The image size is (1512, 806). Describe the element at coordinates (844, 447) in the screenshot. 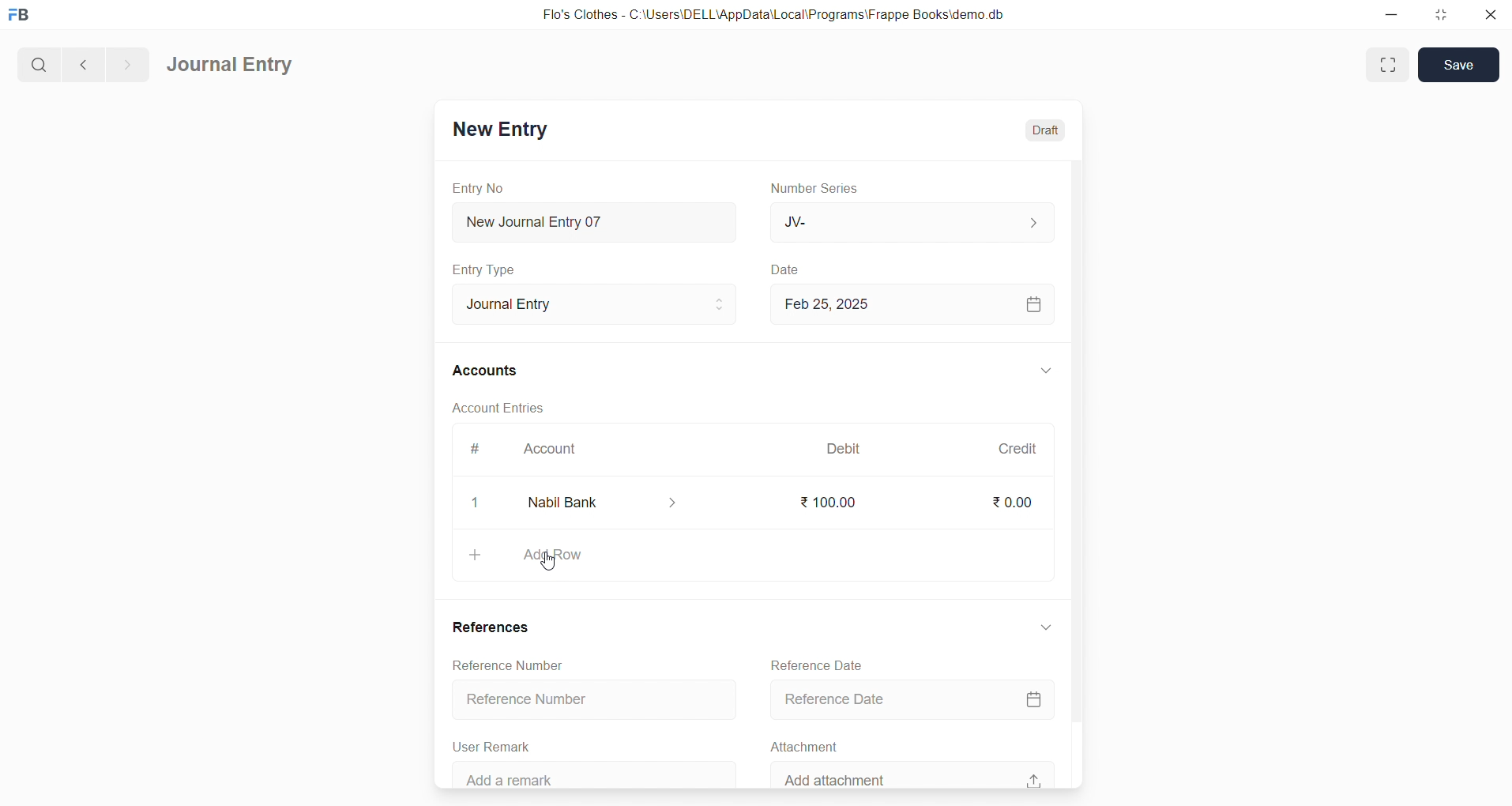

I see `Debit` at that location.